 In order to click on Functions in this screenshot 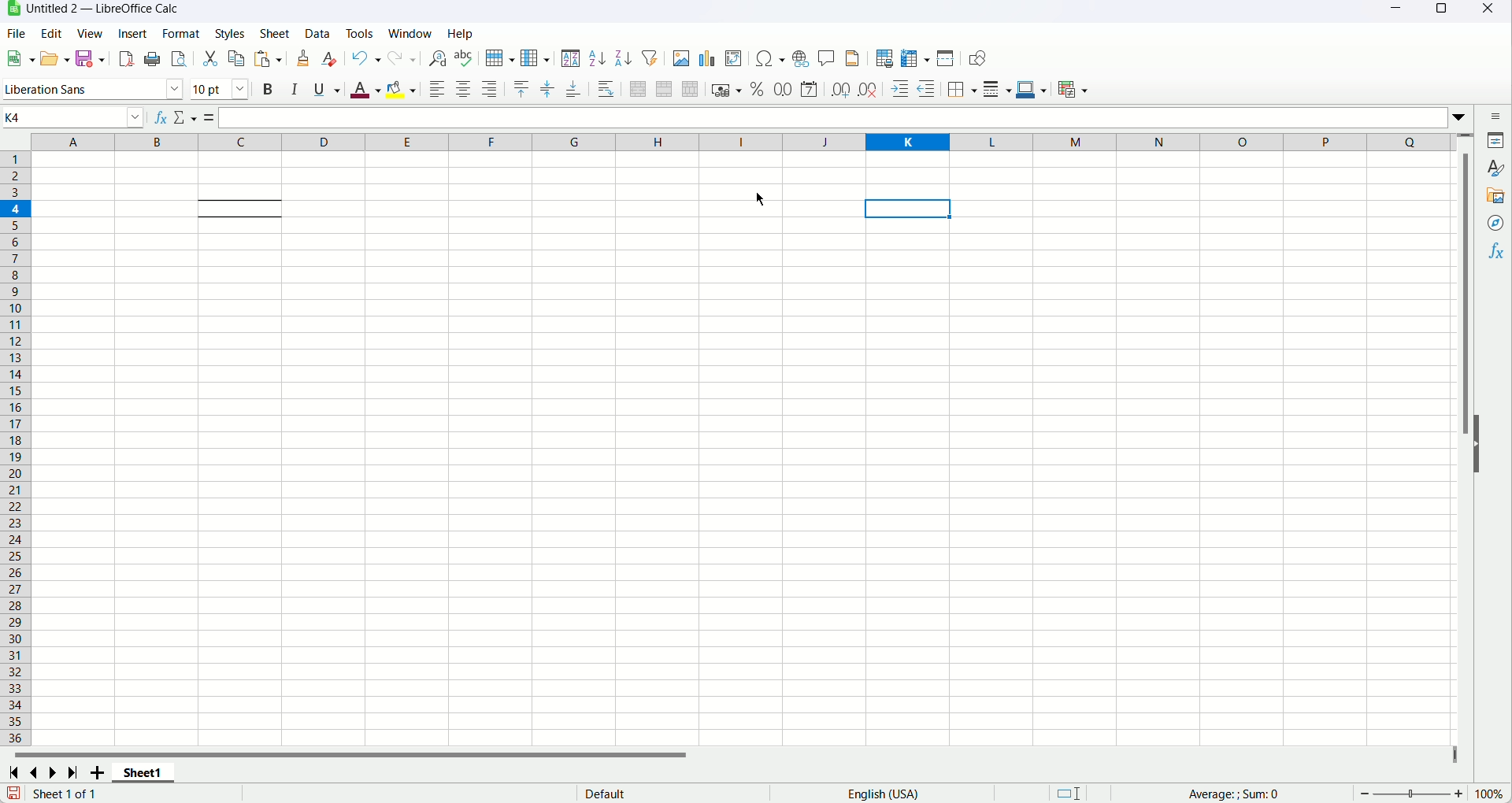, I will do `click(1498, 250)`.